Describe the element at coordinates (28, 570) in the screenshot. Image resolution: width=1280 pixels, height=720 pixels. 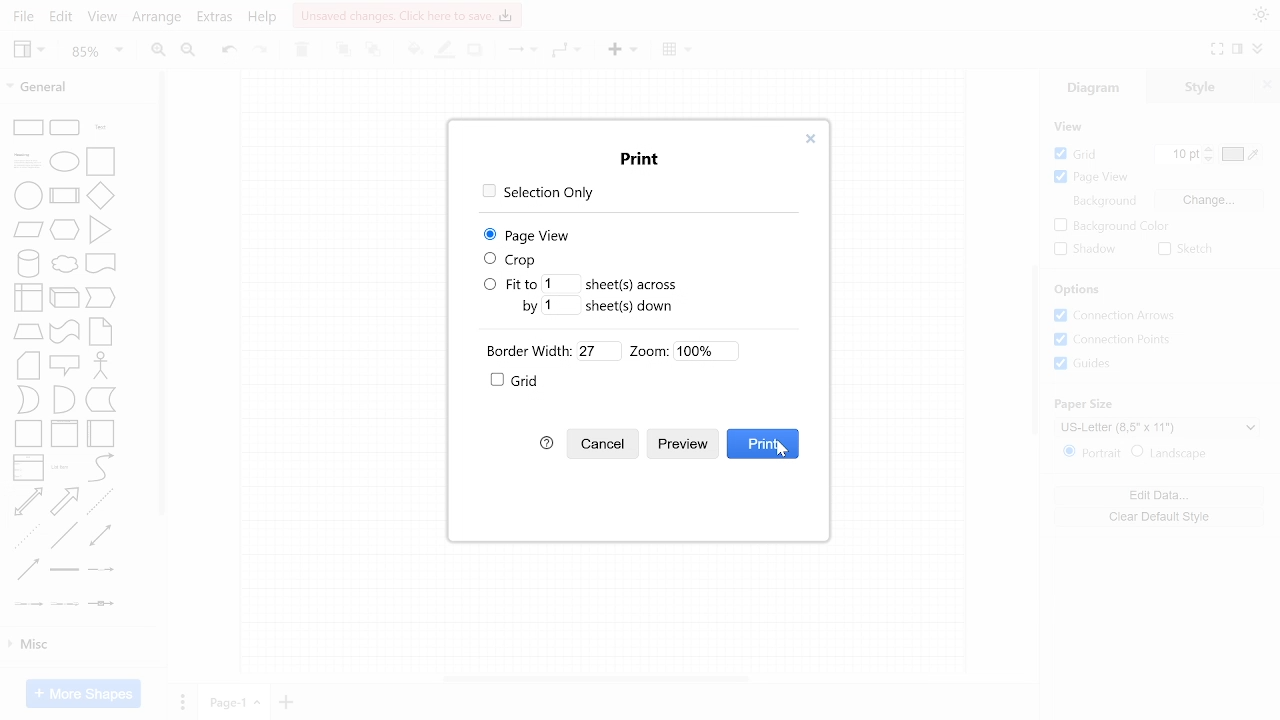
I see `Directional connector` at that location.